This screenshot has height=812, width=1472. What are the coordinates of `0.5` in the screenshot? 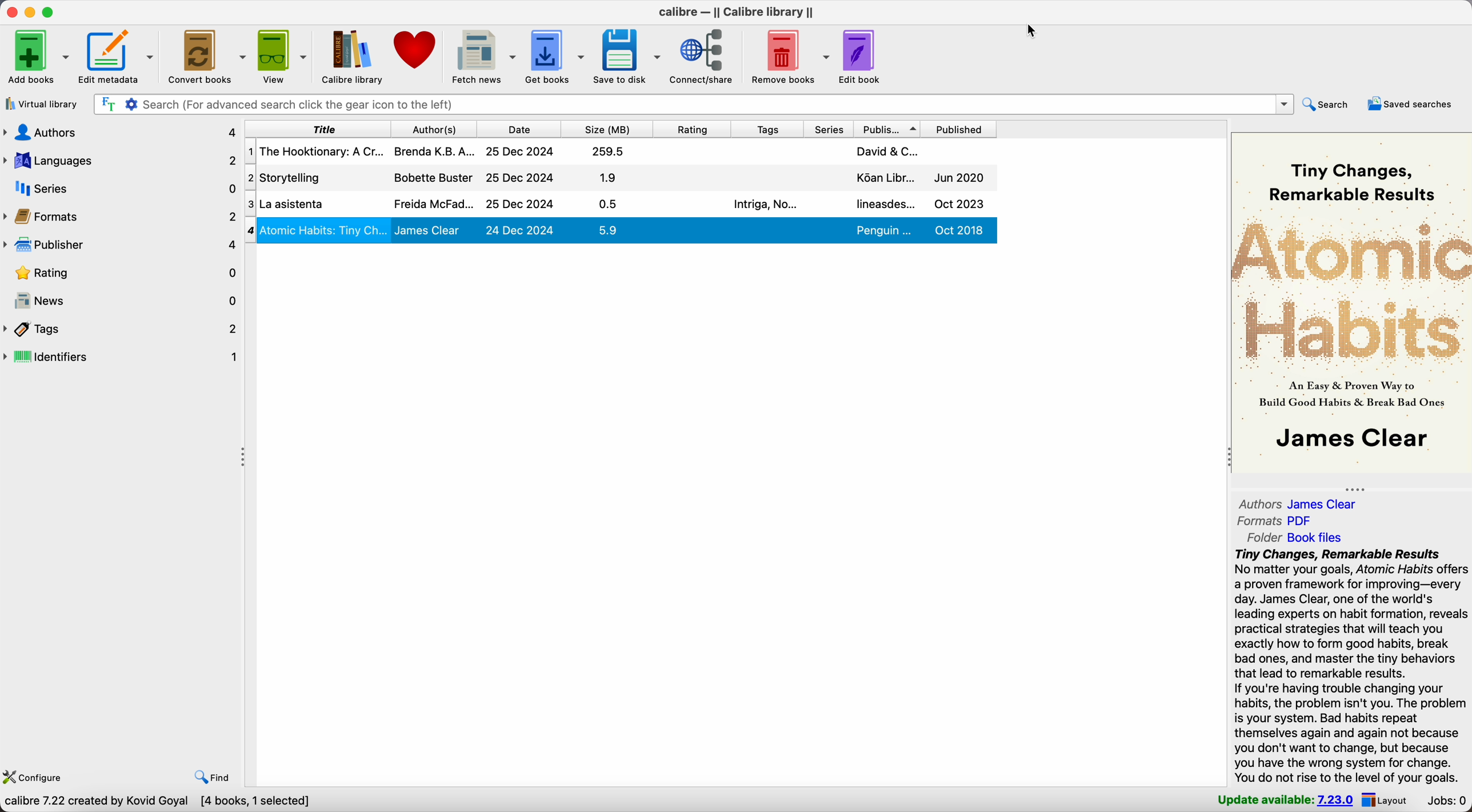 It's located at (607, 205).